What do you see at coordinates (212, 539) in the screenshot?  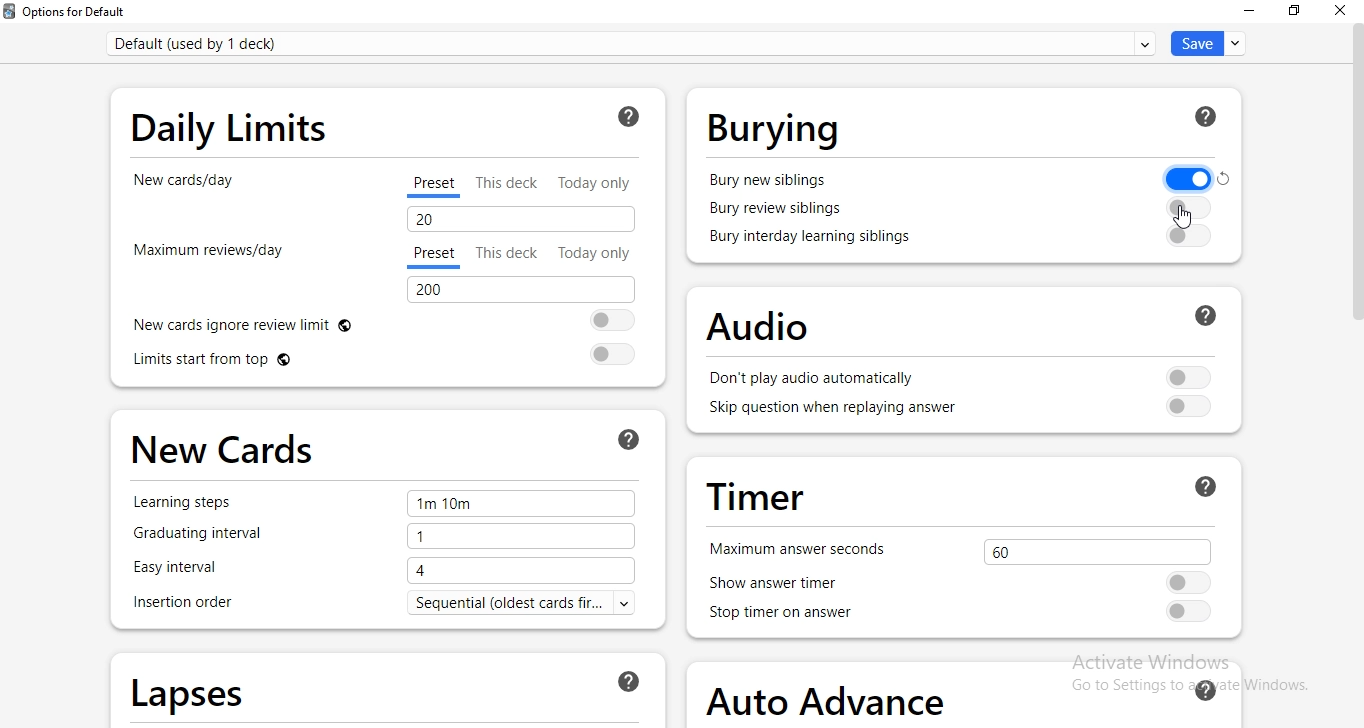 I see `graduating interval` at bounding box center [212, 539].